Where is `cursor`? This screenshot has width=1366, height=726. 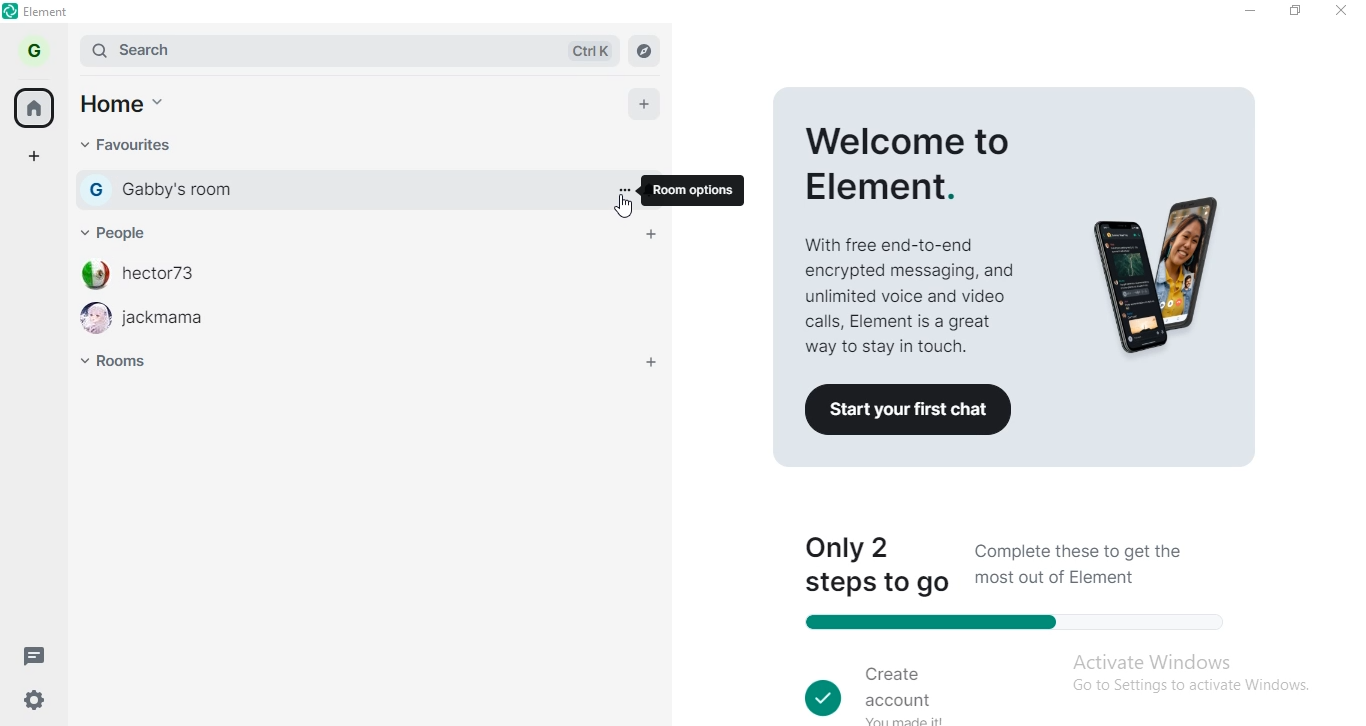 cursor is located at coordinates (623, 205).